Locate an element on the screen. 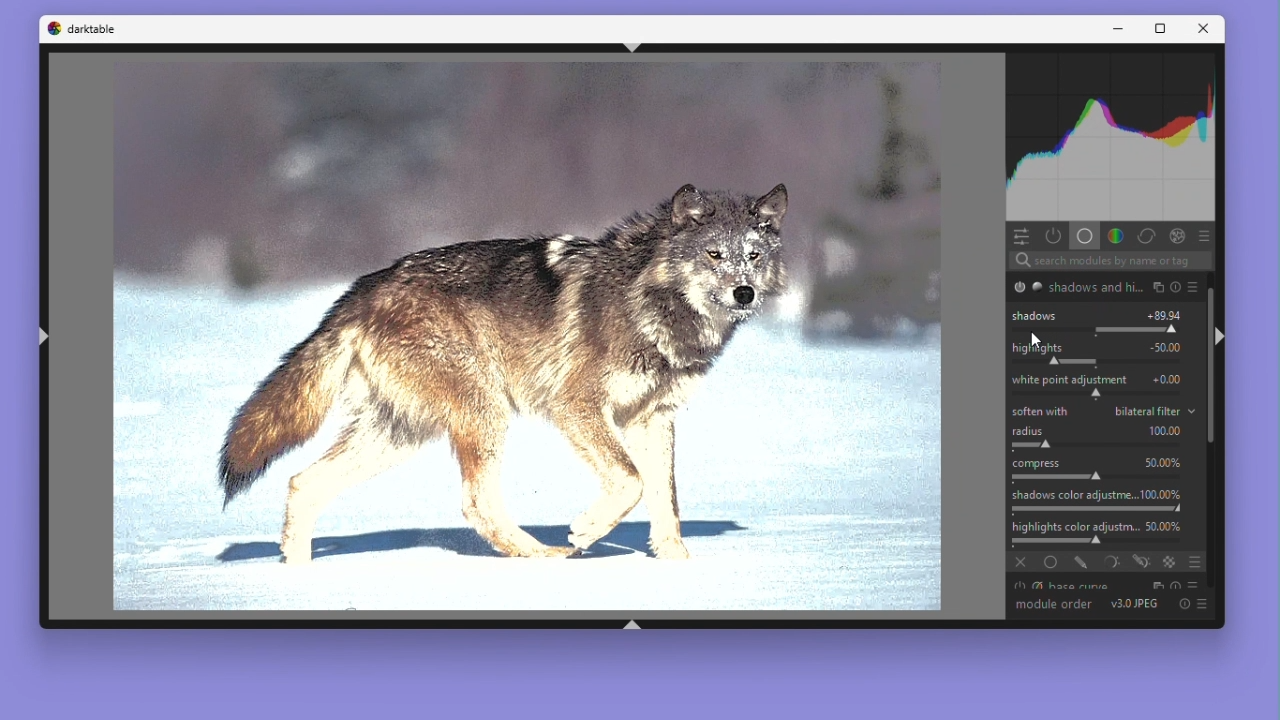  100.00 is located at coordinates (1167, 430).